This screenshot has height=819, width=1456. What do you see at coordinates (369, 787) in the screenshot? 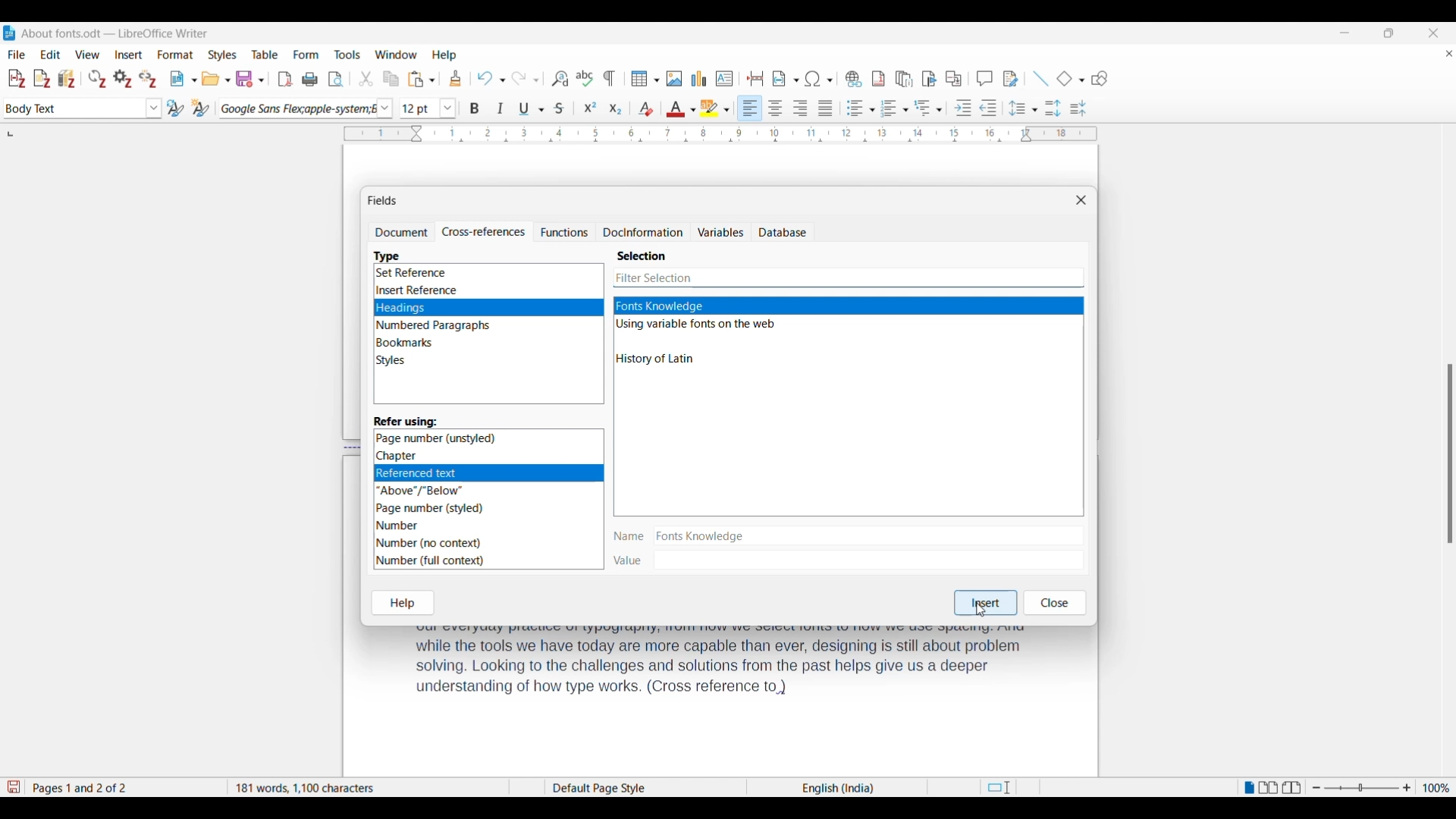
I see `181 words, 1100 characters` at bounding box center [369, 787].